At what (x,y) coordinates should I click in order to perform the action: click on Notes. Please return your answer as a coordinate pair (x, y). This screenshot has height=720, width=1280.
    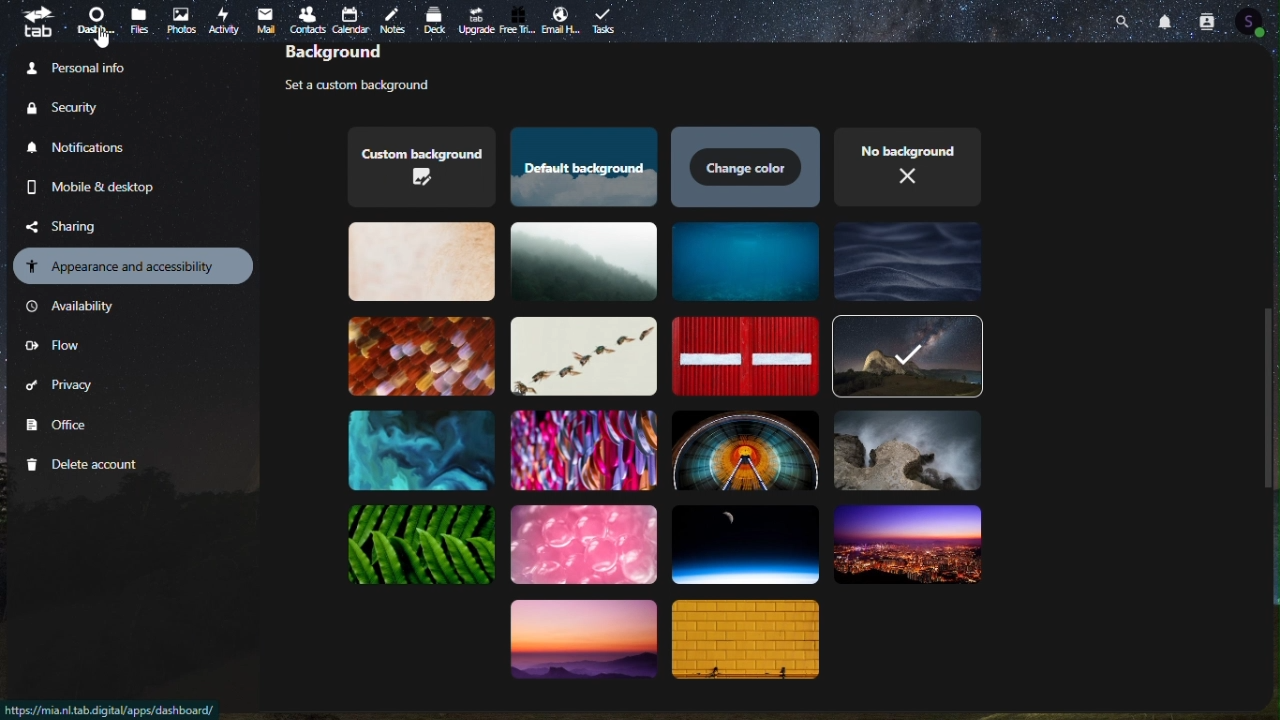
    Looking at the image, I should click on (397, 16).